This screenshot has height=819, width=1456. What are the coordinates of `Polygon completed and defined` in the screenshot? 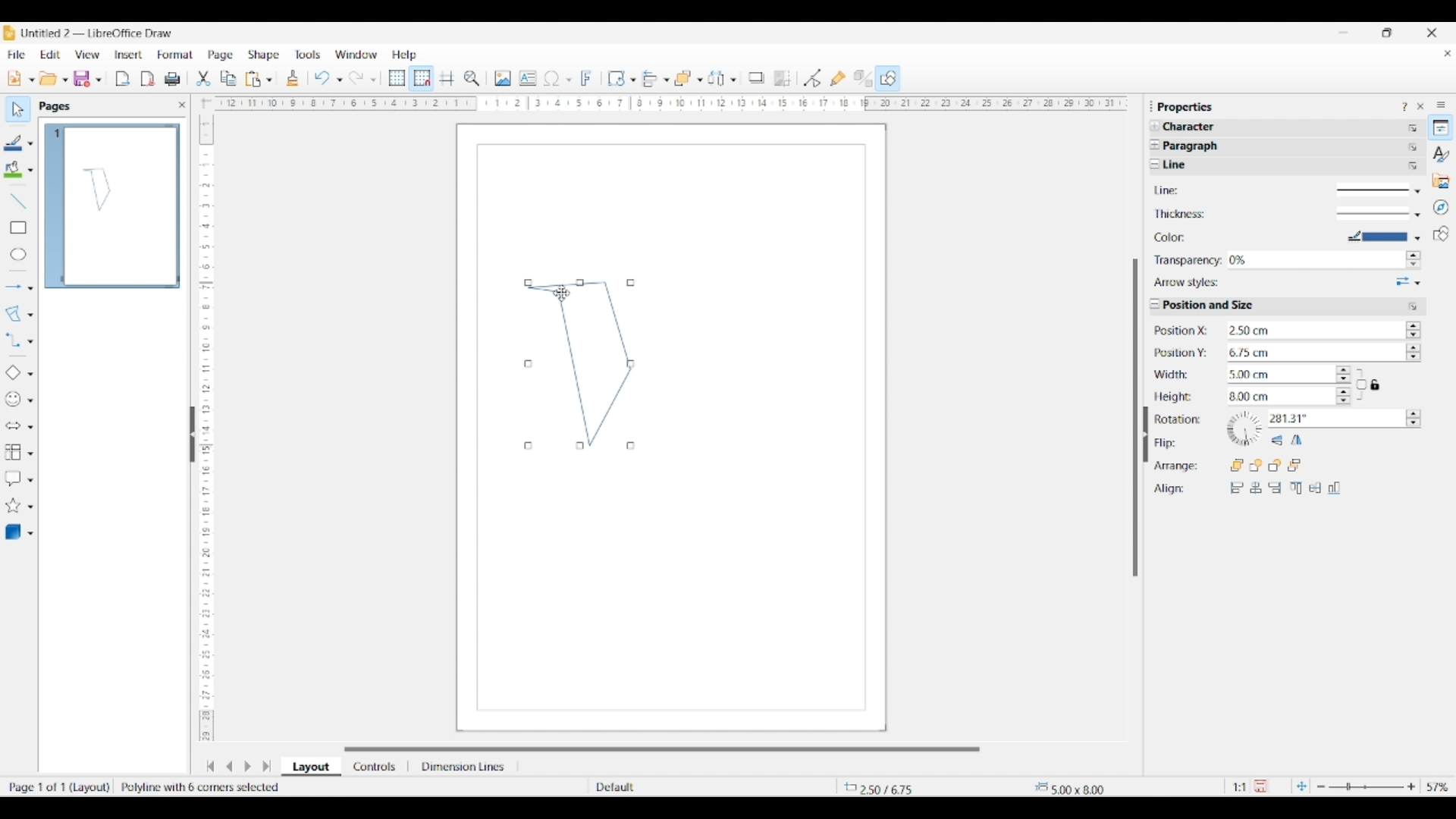 It's located at (209, 787).